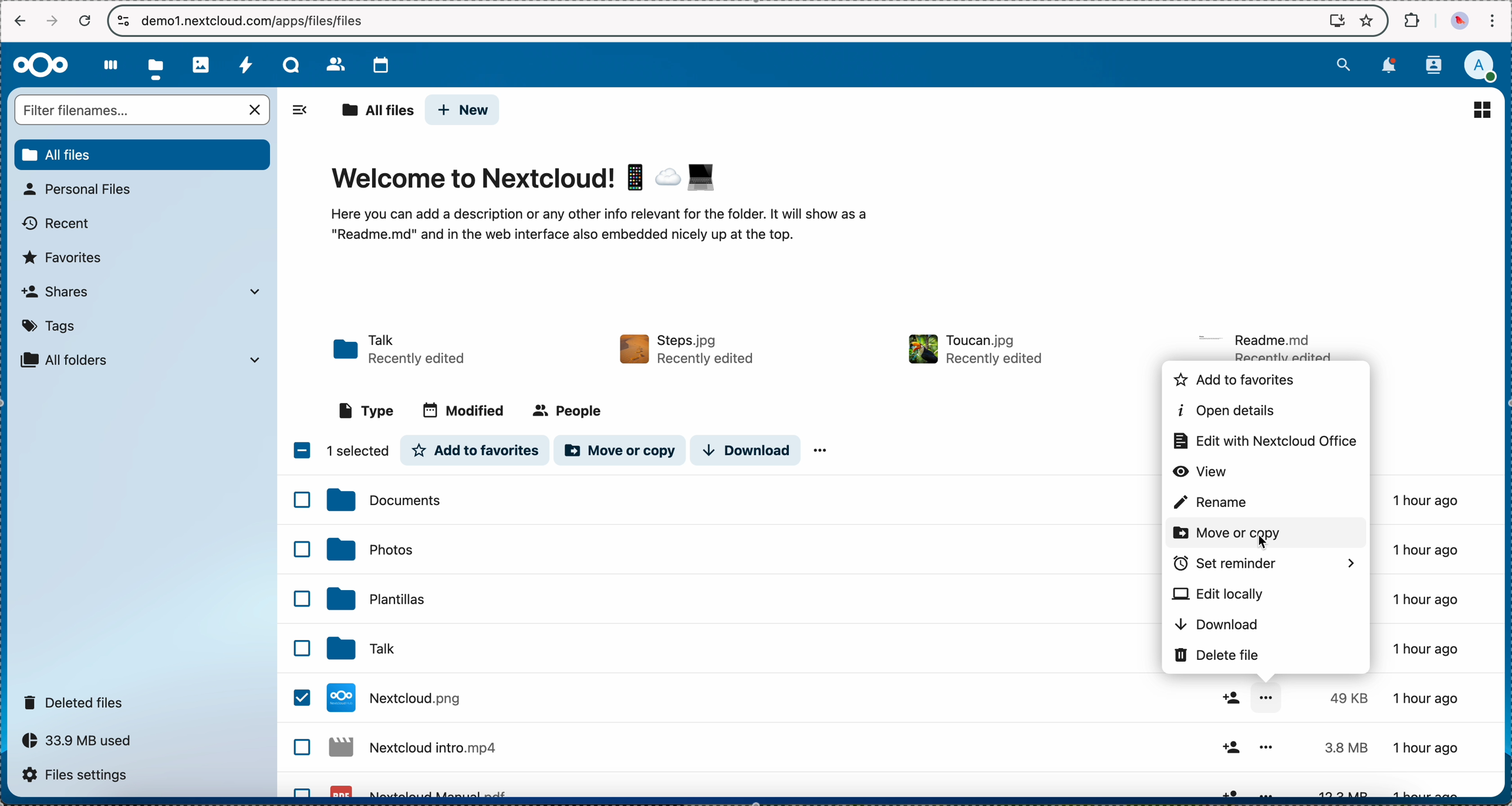 Image resolution: width=1512 pixels, height=806 pixels. I want to click on welcome to nextcloud, so click(610, 204).